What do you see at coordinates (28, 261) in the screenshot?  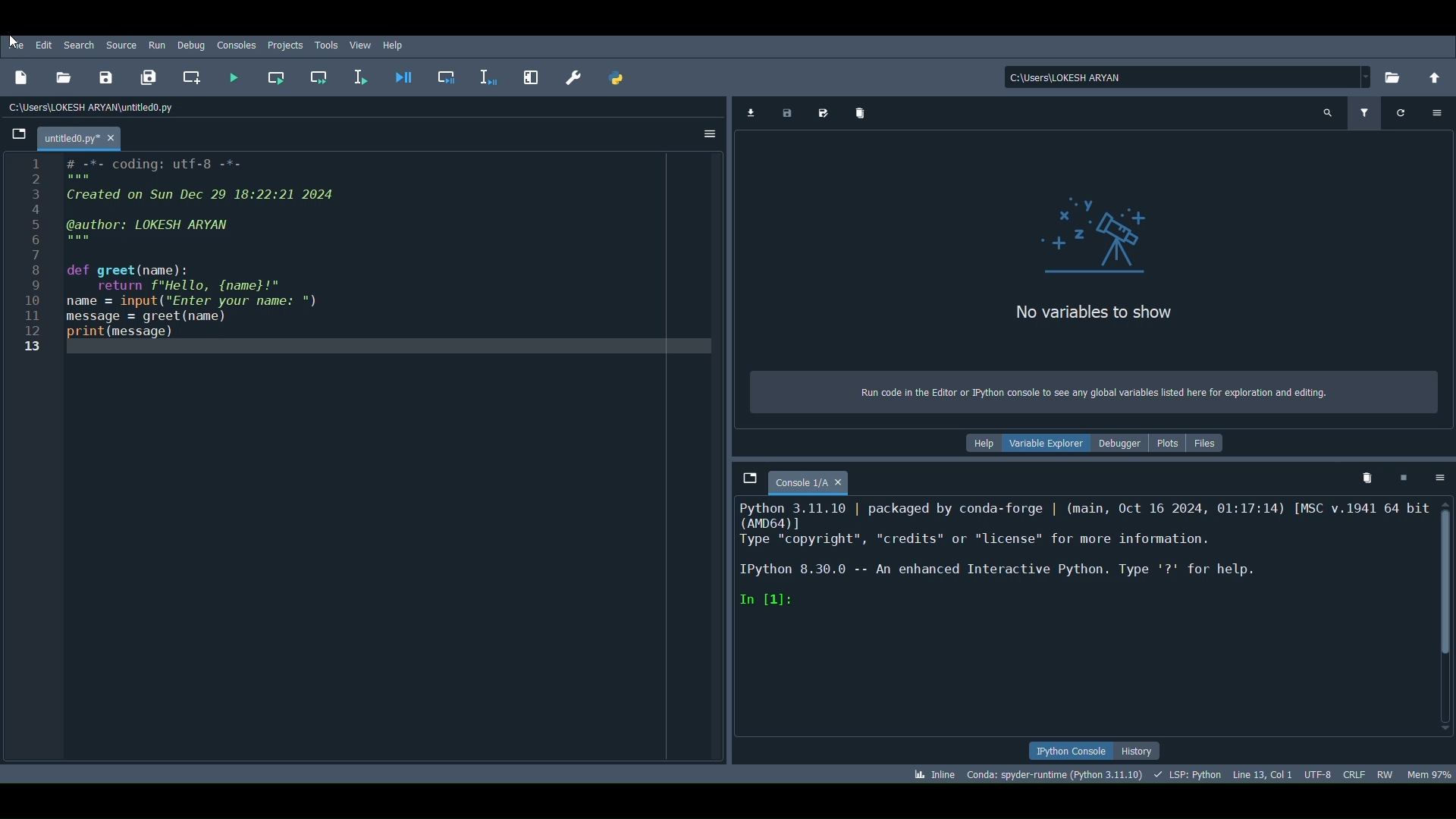 I see `serial number: (1-13)` at bounding box center [28, 261].